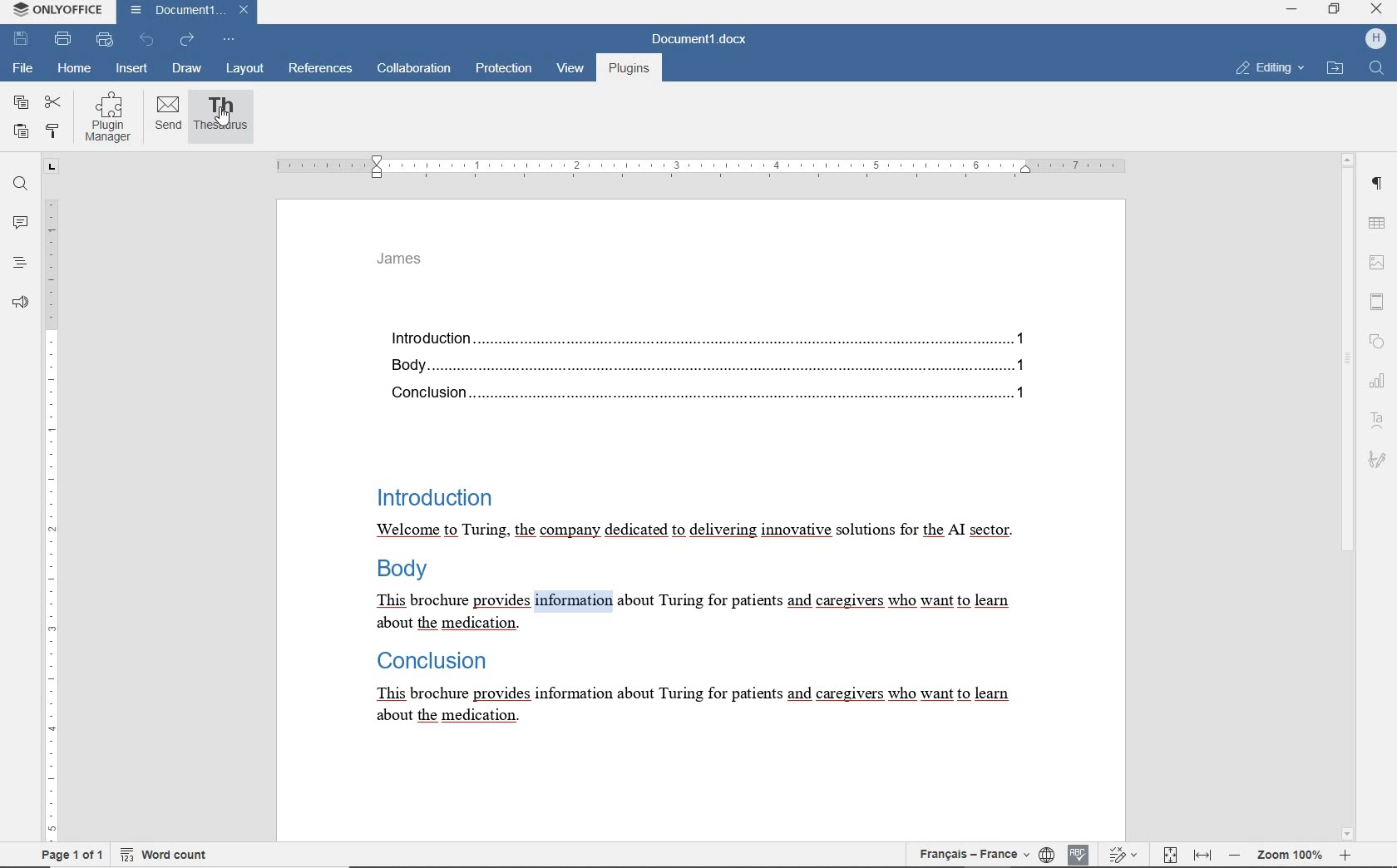 This screenshot has width=1397, height=868. What do you see at coordinates (700, 365) in the screenshot?
I see `Body....1` at bounding box center [700, 365].